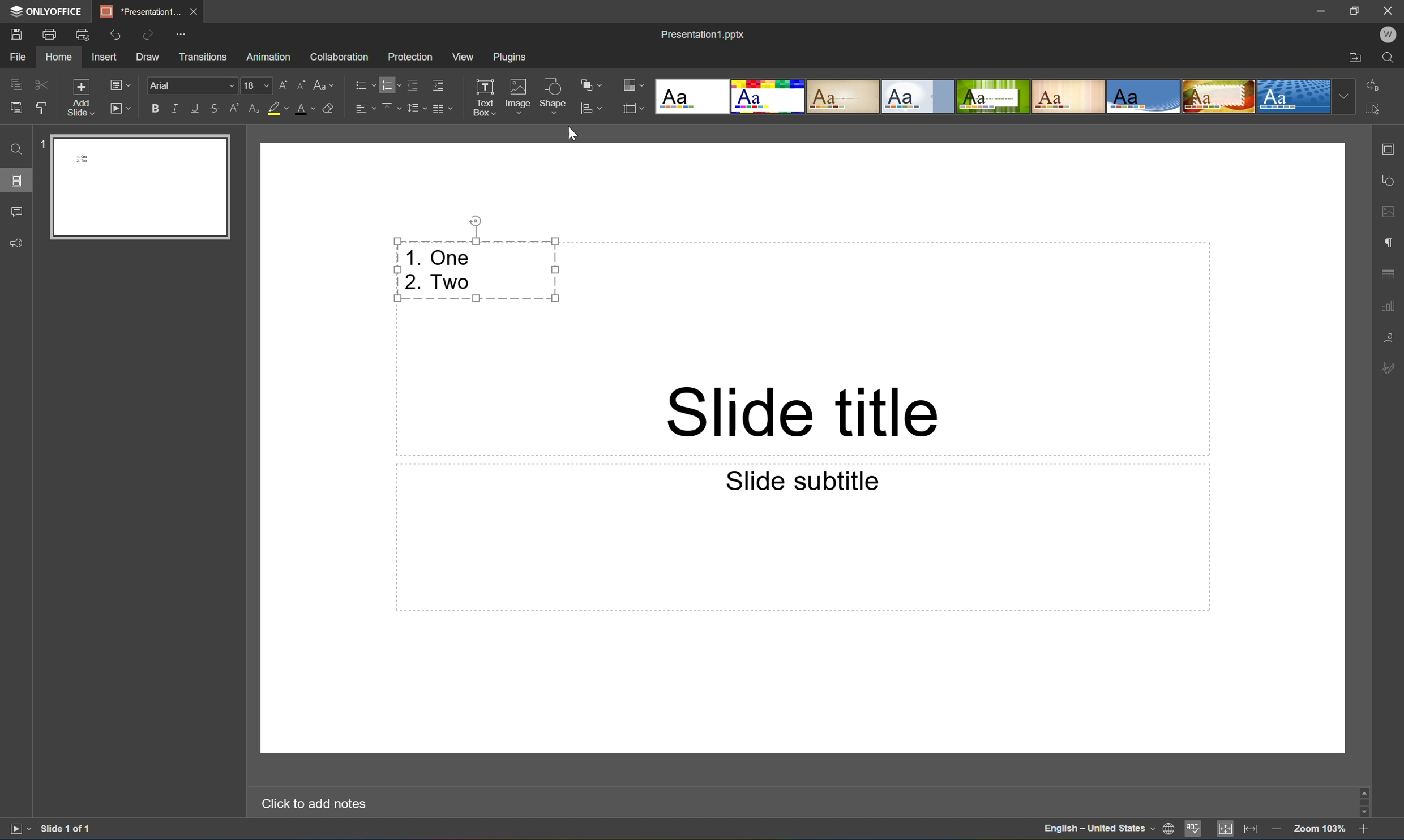  Describe the element at coordinates (1389, 34) in the screenshot. I see `Welcome` at that location.